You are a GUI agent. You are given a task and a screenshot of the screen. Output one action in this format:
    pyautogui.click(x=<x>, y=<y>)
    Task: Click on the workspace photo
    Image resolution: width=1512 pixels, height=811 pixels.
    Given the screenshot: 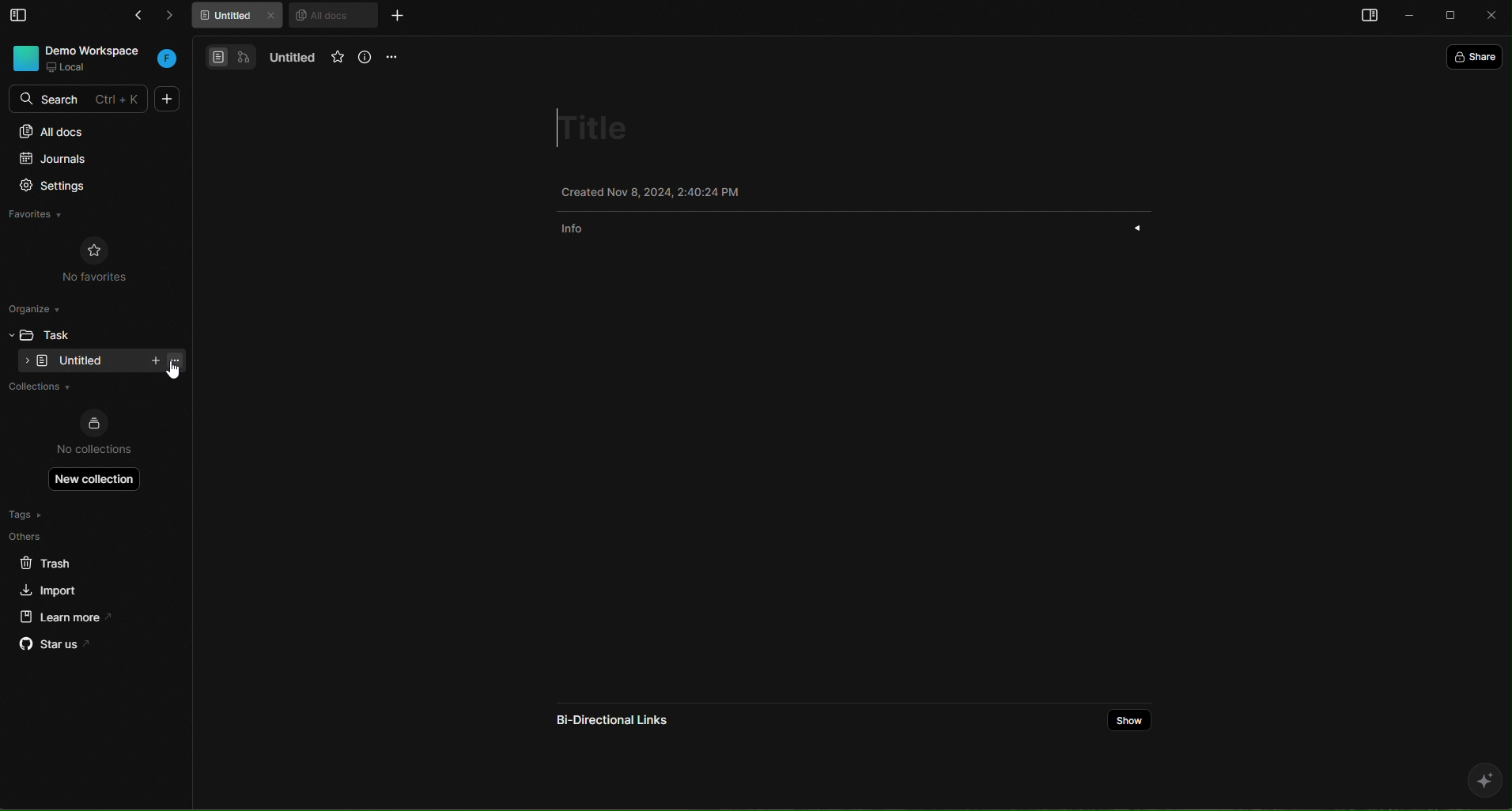 What is the action you would take?
    pyautogui.click(x=24, y=57)
    